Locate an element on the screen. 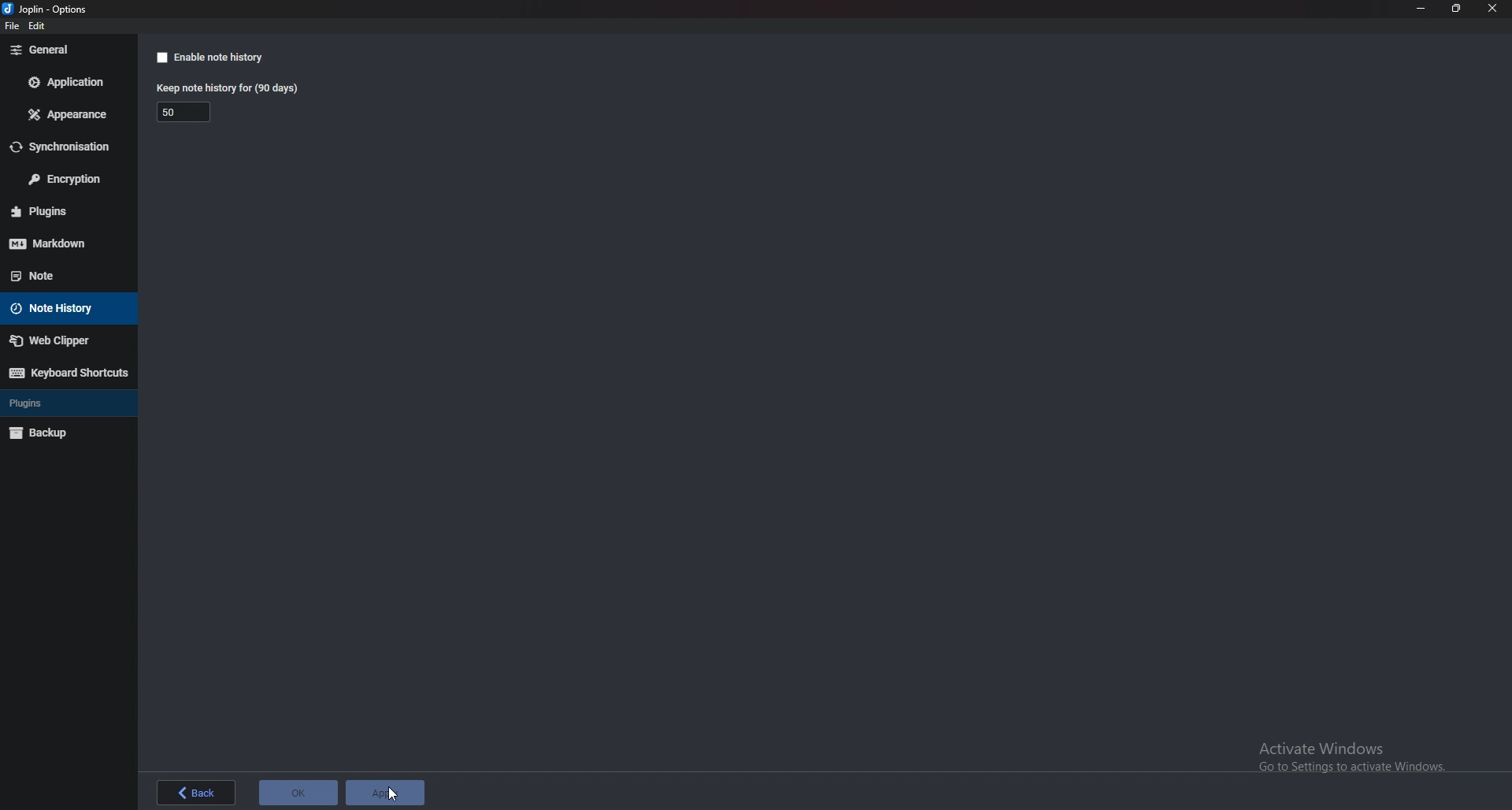 Image resolution: width=1512 pixels, height=810 pixels. file is located at coordinates (9, 27).